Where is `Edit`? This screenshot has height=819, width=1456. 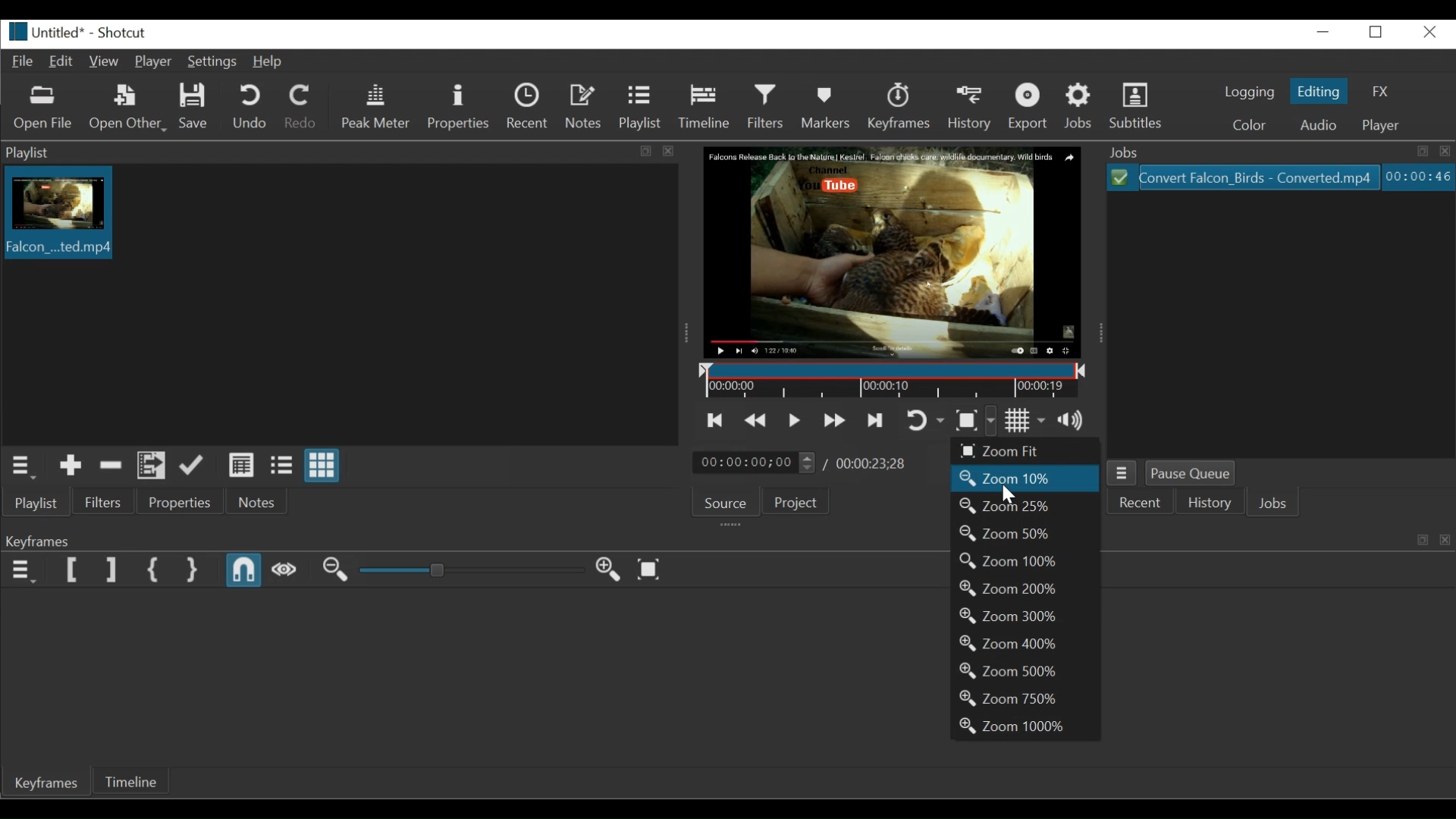
Edit is located at coordinates (61, 62).